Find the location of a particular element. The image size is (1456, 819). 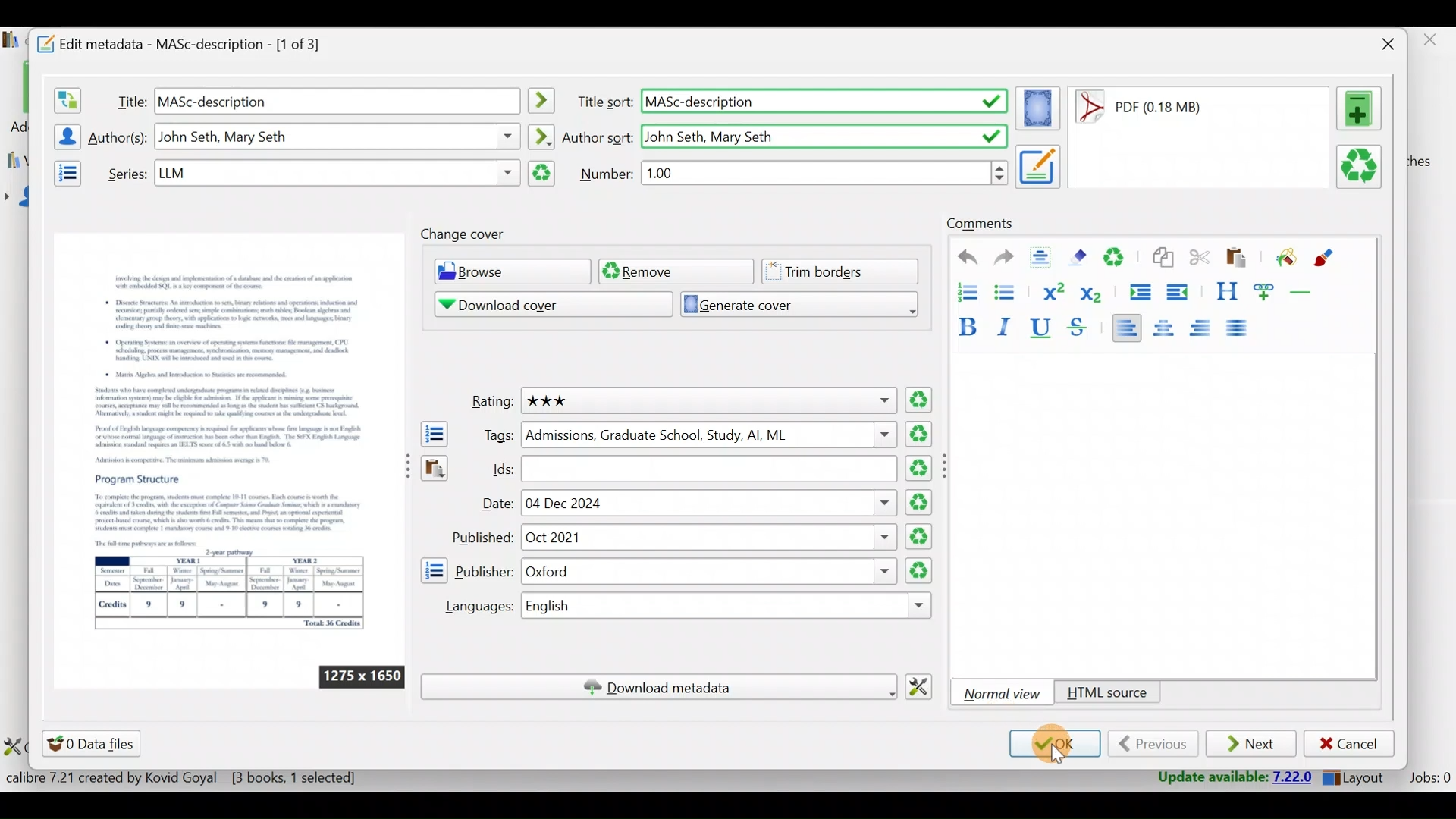

Add a format to this book is located at coordinates (1362, 108).